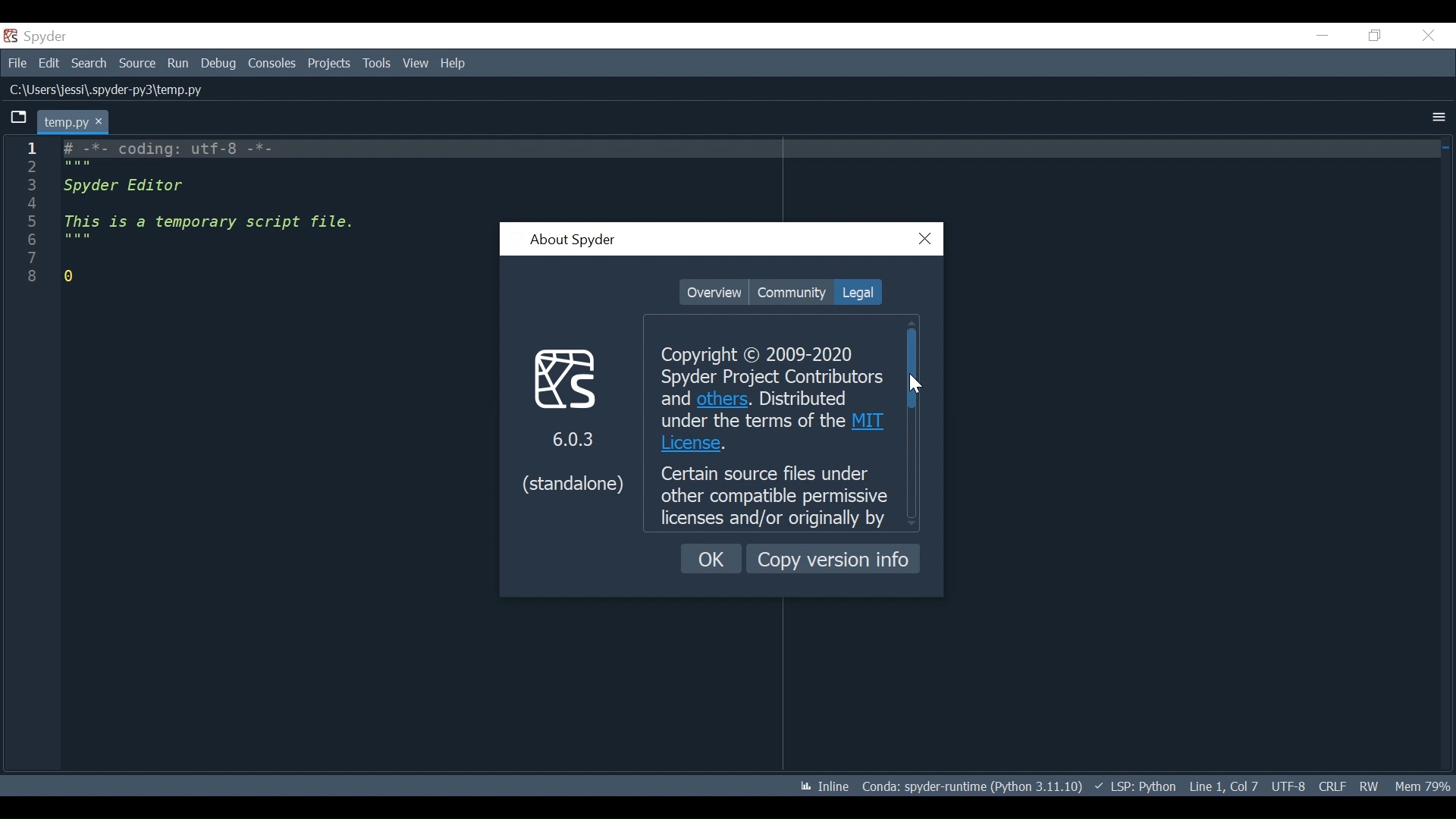  Describe the element at coordinates (712, 559) in the screenshot. I see `OK` at that location.